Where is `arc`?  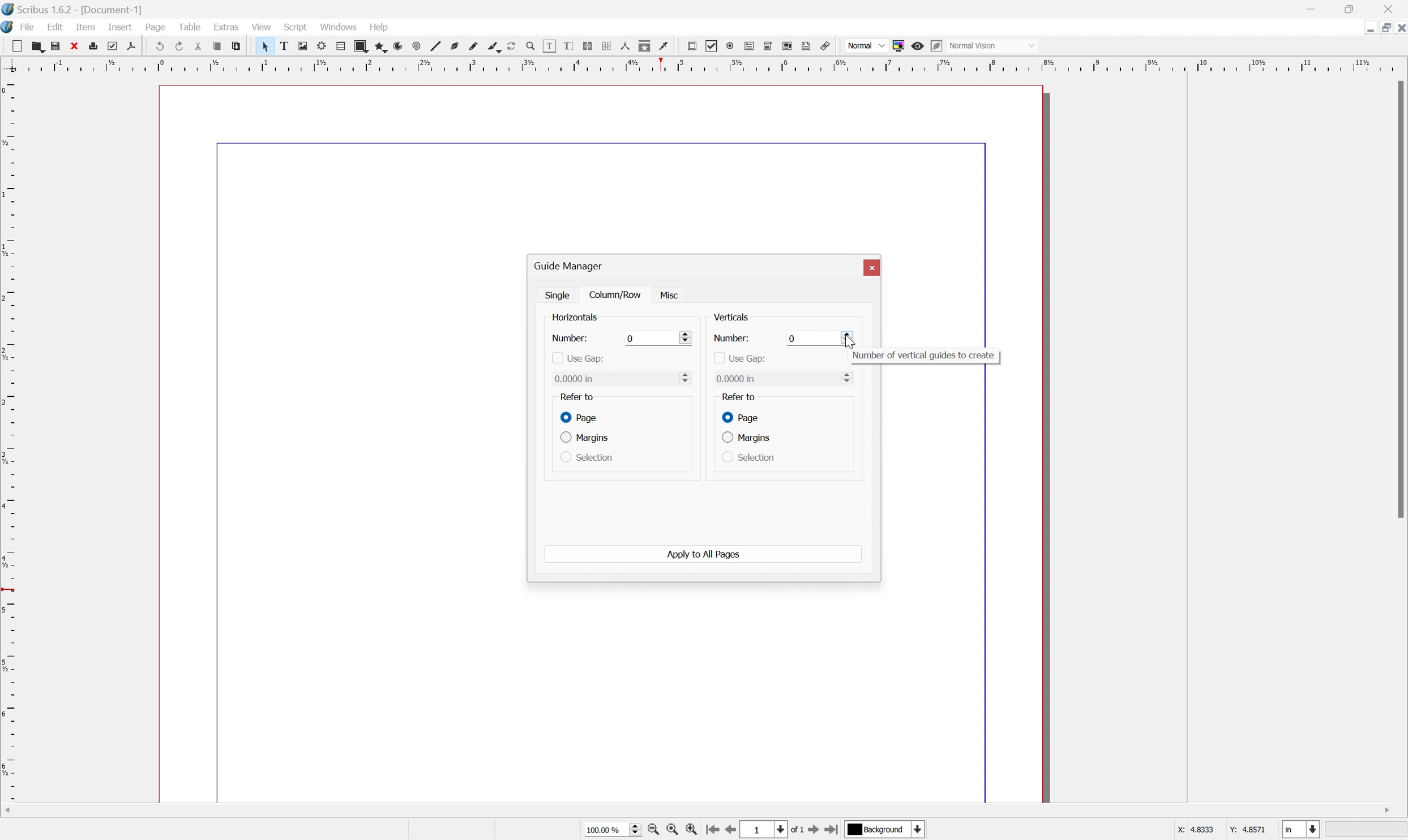 arc is located at coordinates (397, 47).